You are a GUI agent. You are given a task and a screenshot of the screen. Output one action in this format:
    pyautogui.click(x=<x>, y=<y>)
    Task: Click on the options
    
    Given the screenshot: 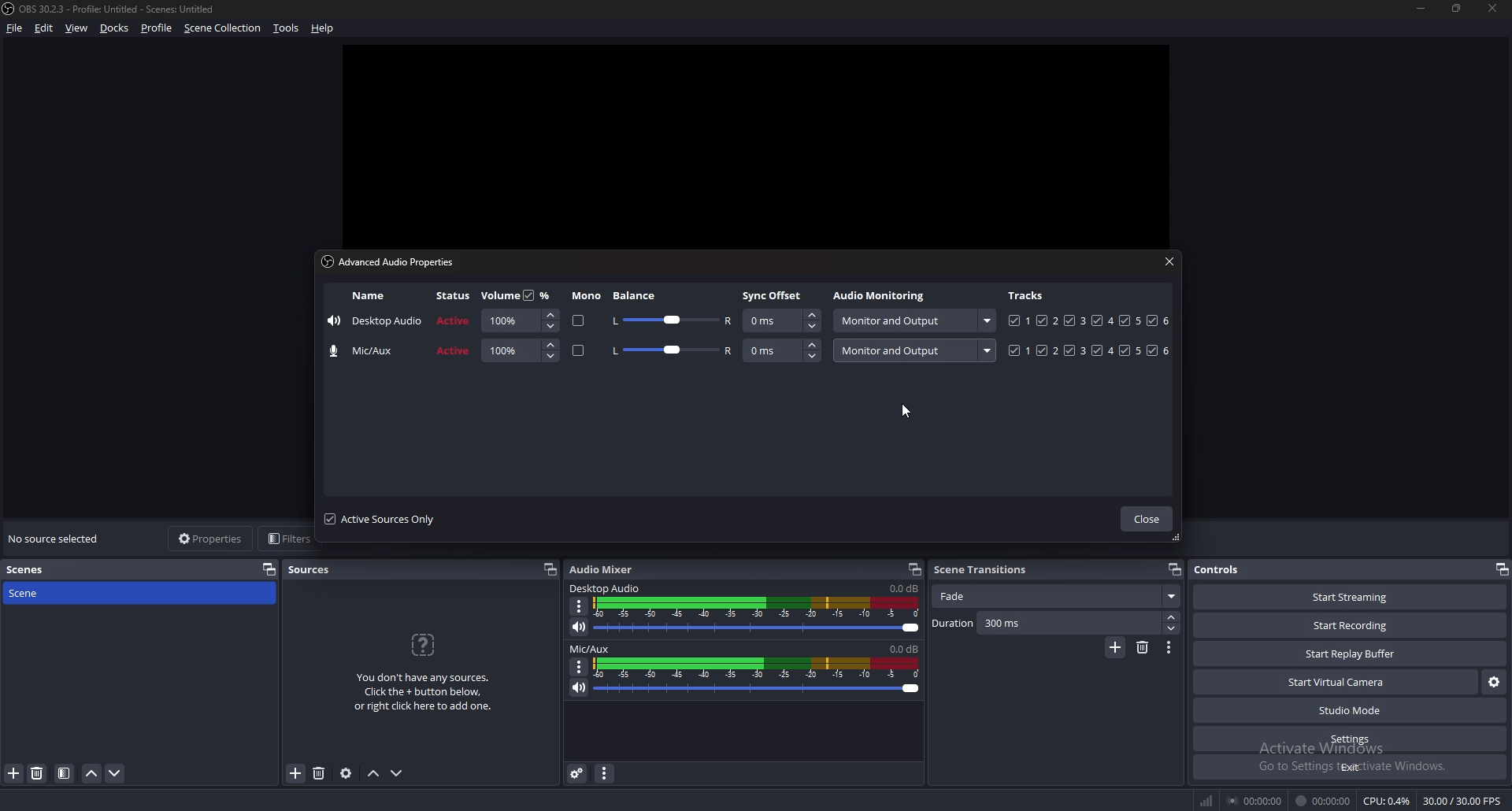 What is the action you would take?
    pyautogui.click(x=579, y=667)
    